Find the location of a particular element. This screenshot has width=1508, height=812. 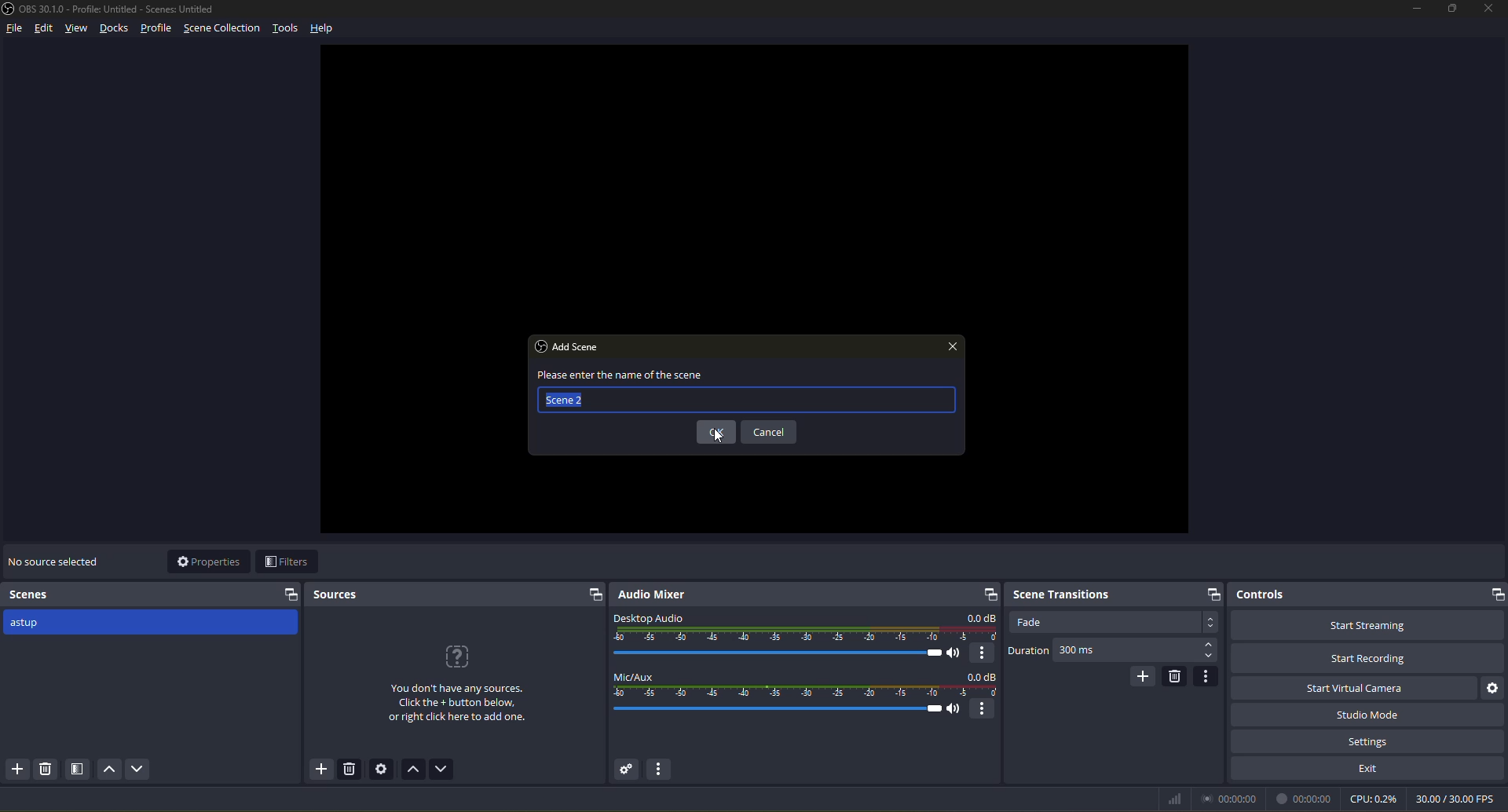

add sources is located at coordinates (321, 769).